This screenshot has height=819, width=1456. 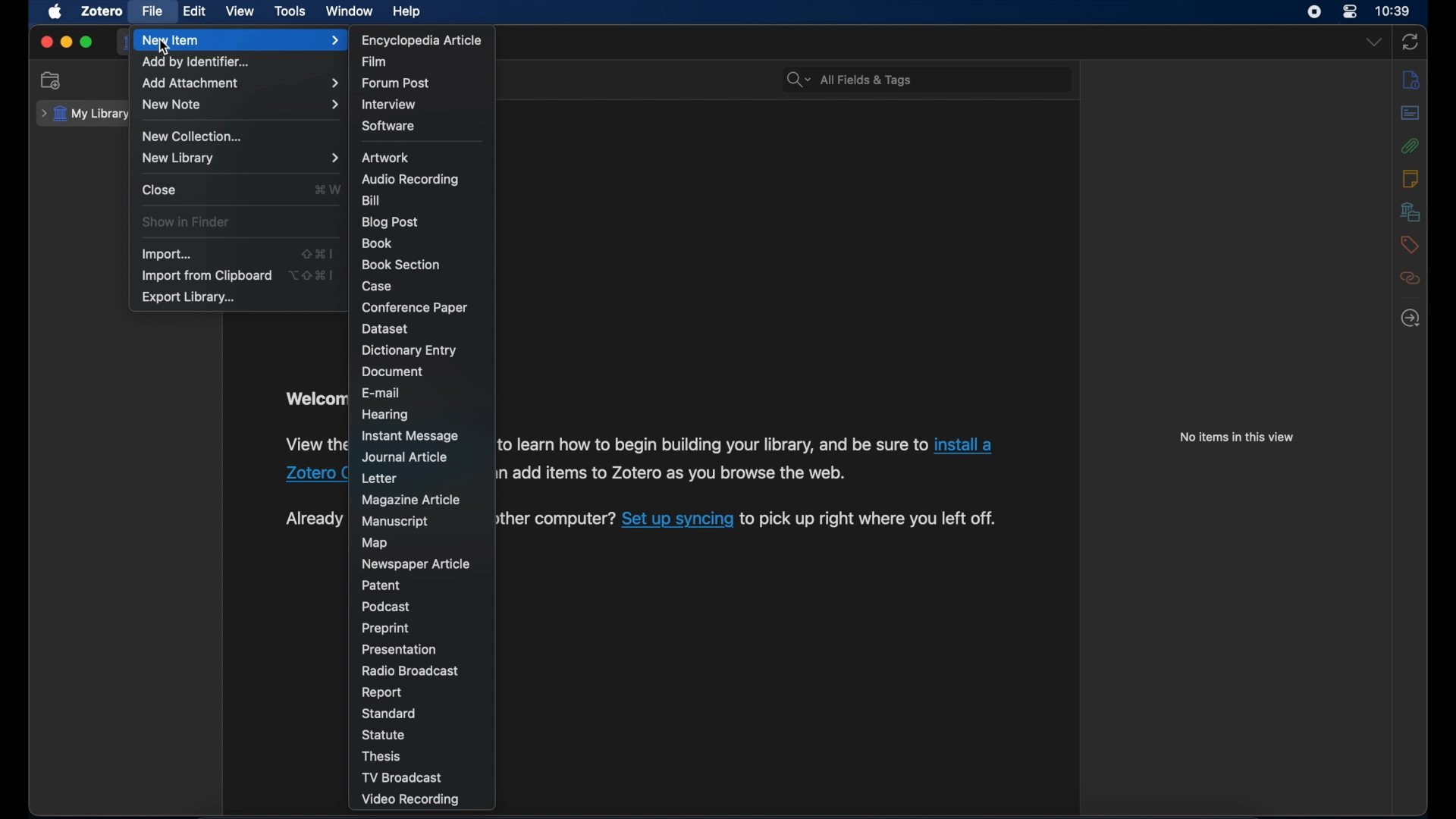 I want to click on tools, so click(x=290, y=11).